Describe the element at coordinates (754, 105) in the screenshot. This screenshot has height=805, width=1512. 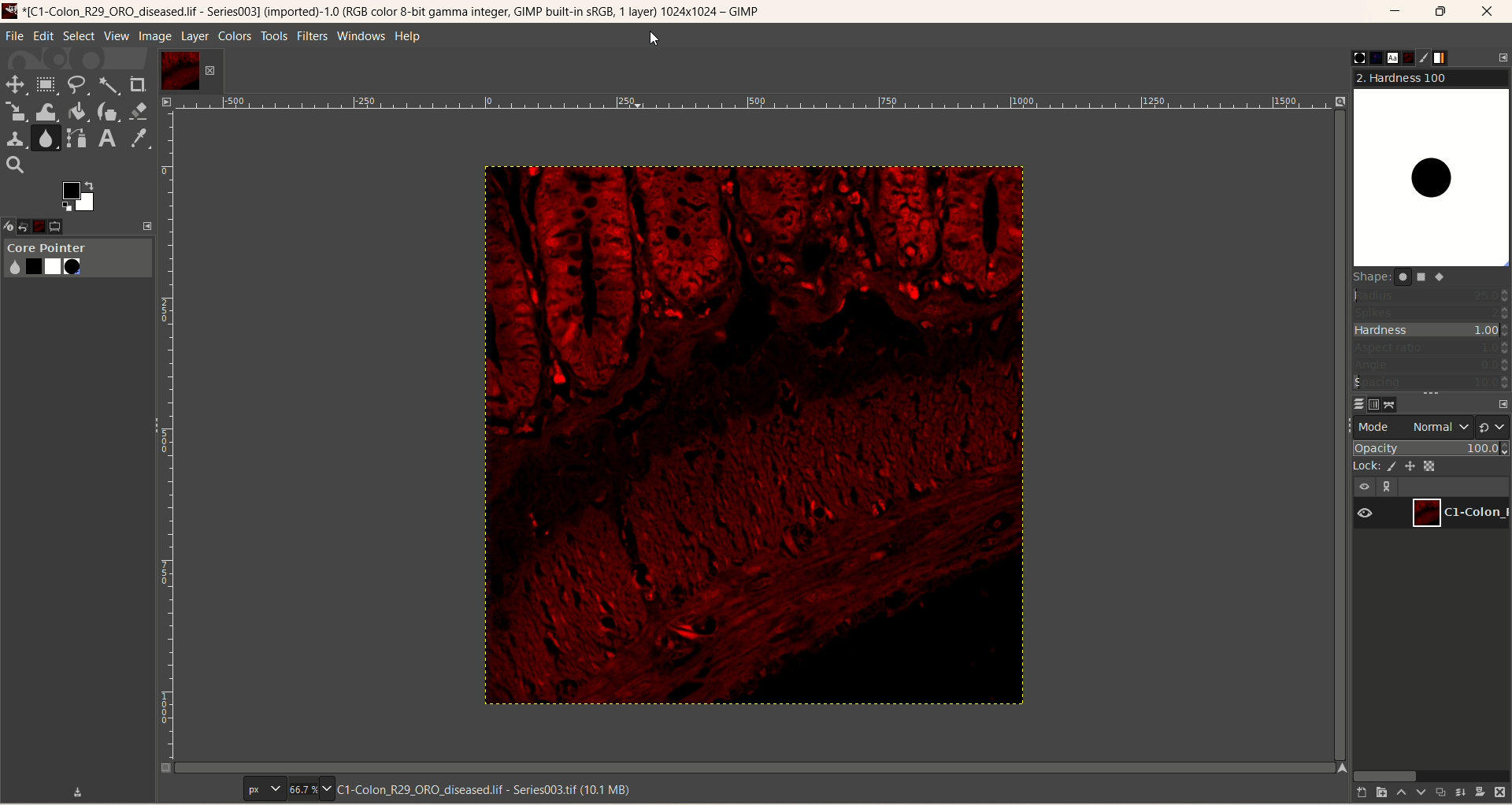
I see `scale bar` at that location.